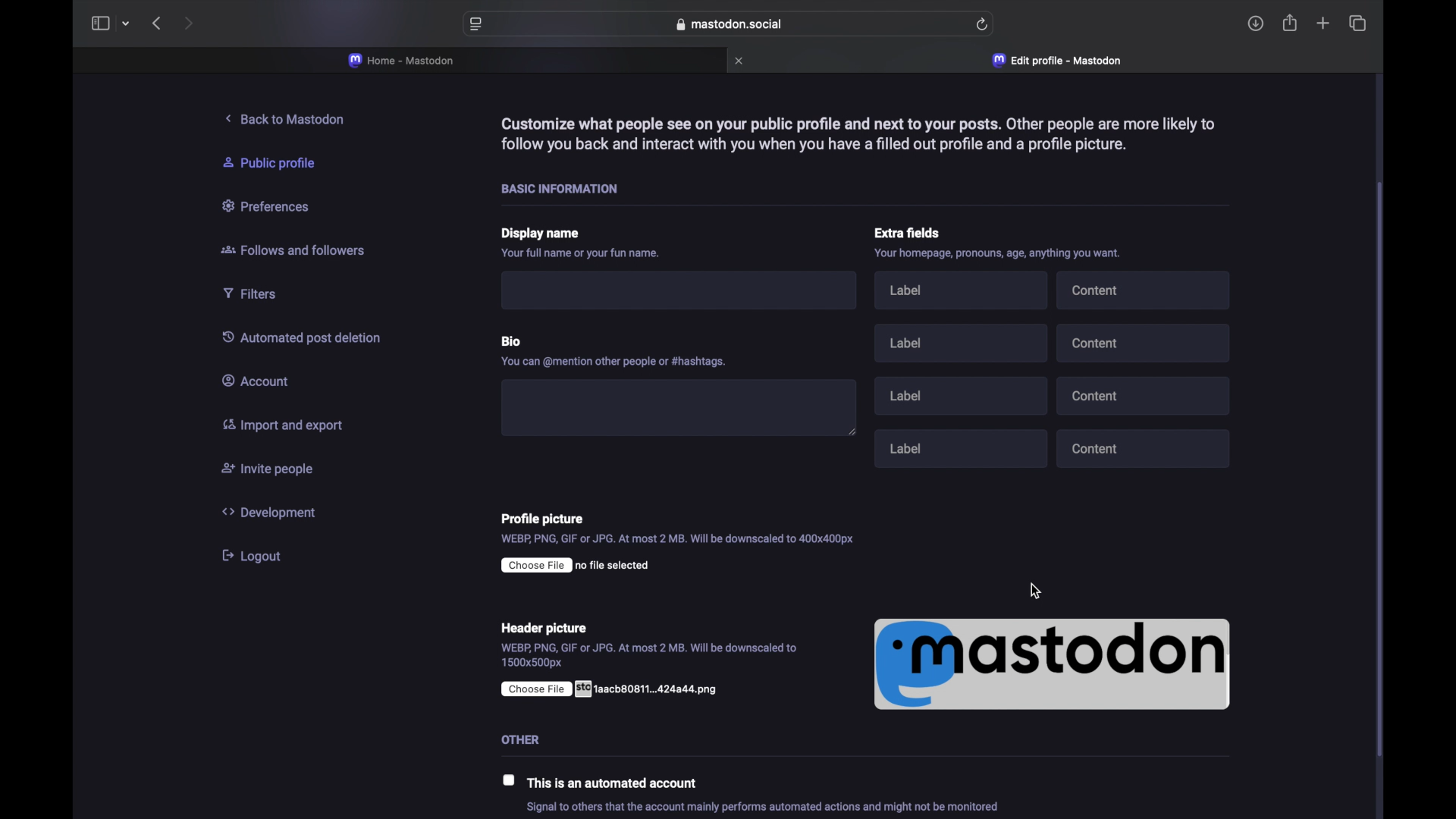  I want to click on info, so click(856, 133).